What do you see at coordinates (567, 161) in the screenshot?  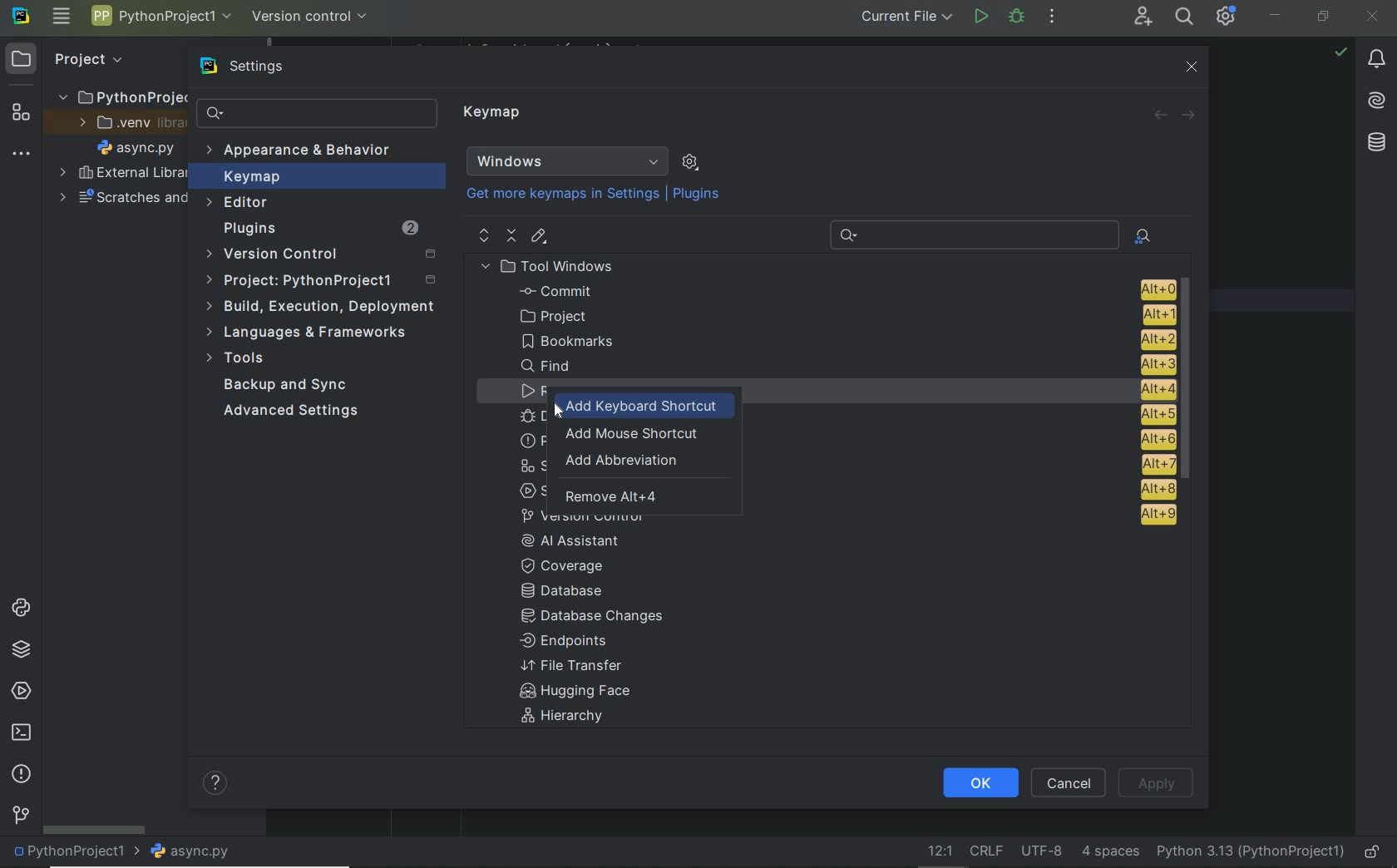 I see `Windows` at bounding box center [567, 161].